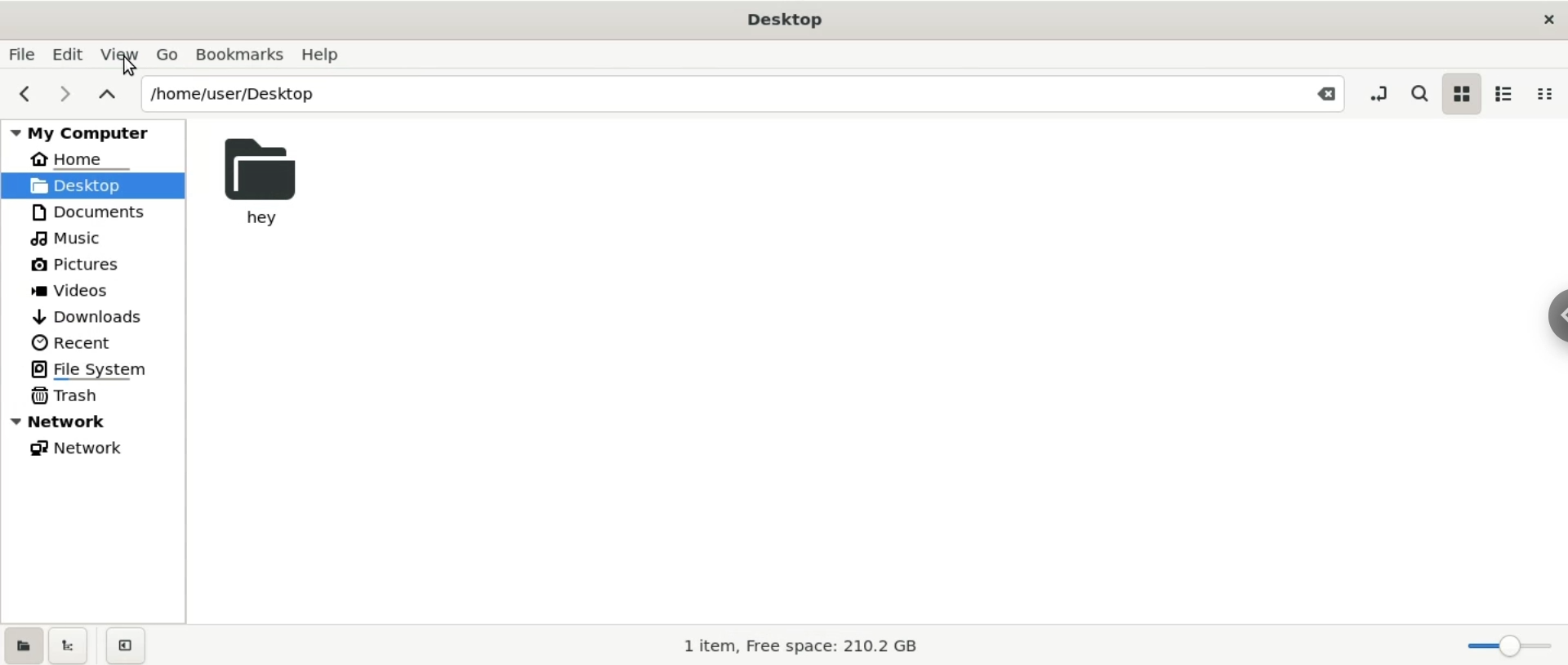  What do you see at coordinates (76, 290) in the screenshot?
I see `Videos` at bounding box center [76, 290].